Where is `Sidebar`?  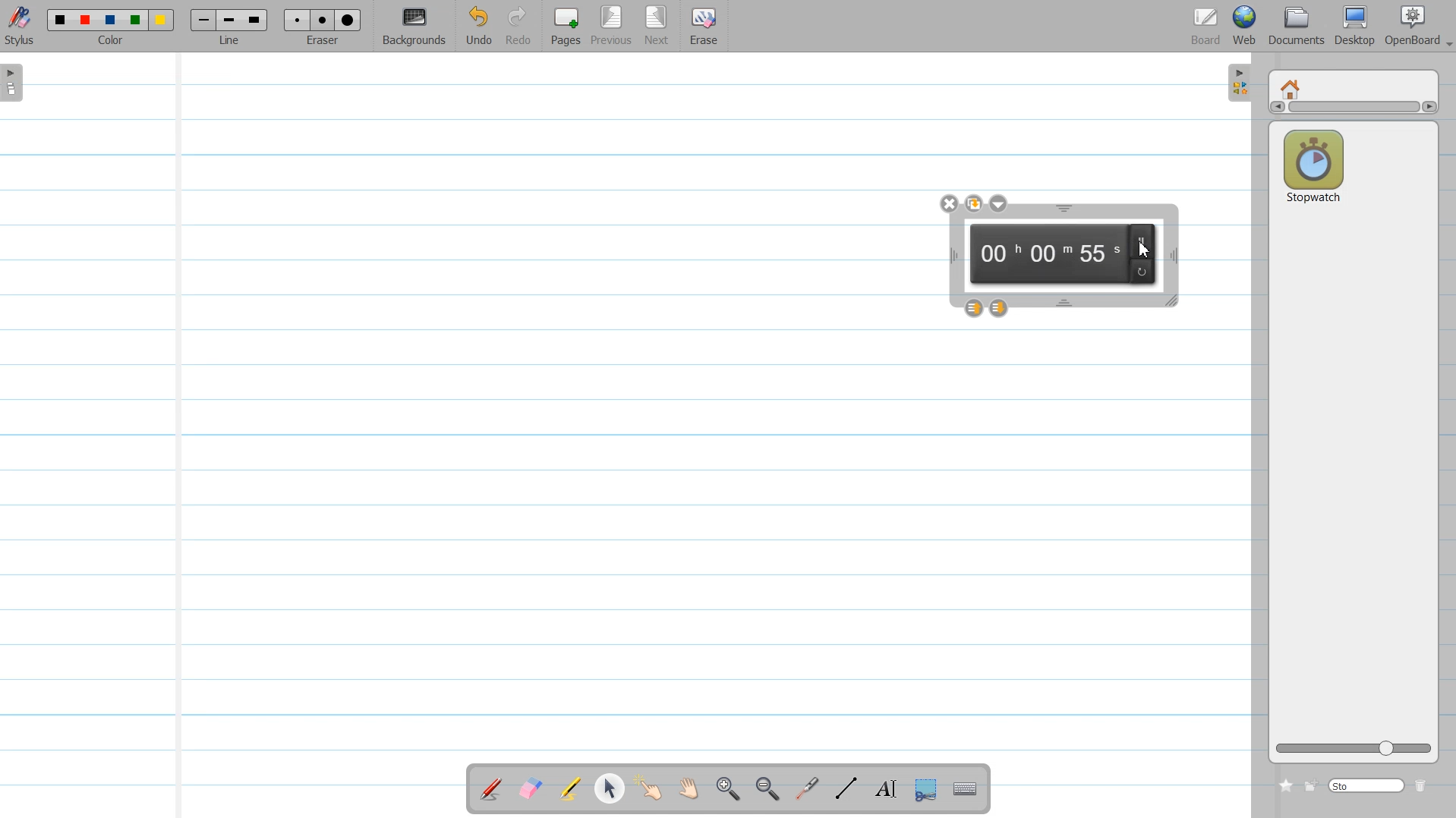
Sidebar is located at coordinates (1237, 83).